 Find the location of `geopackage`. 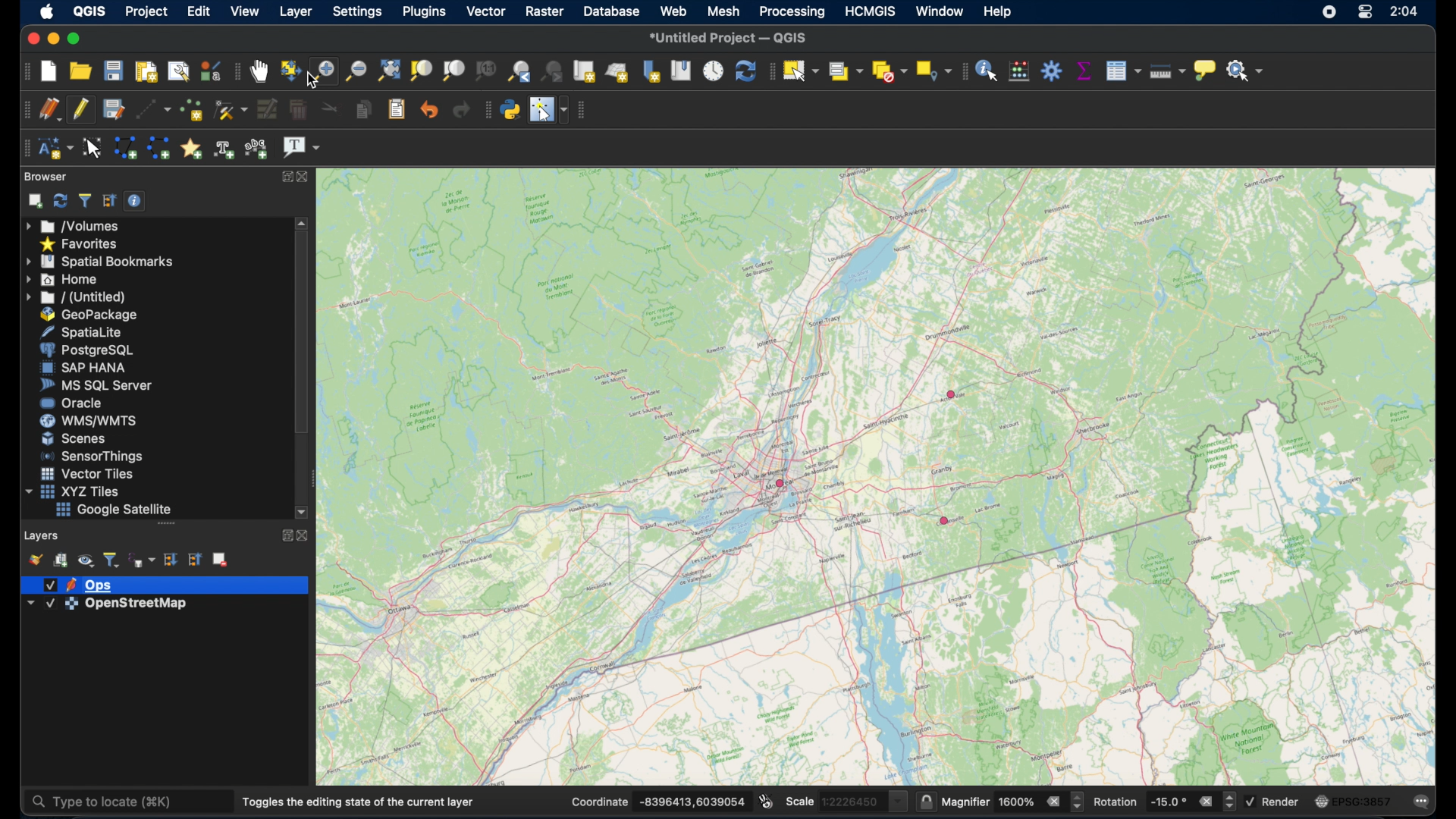

geopackage is located at coordinates (84, 315).